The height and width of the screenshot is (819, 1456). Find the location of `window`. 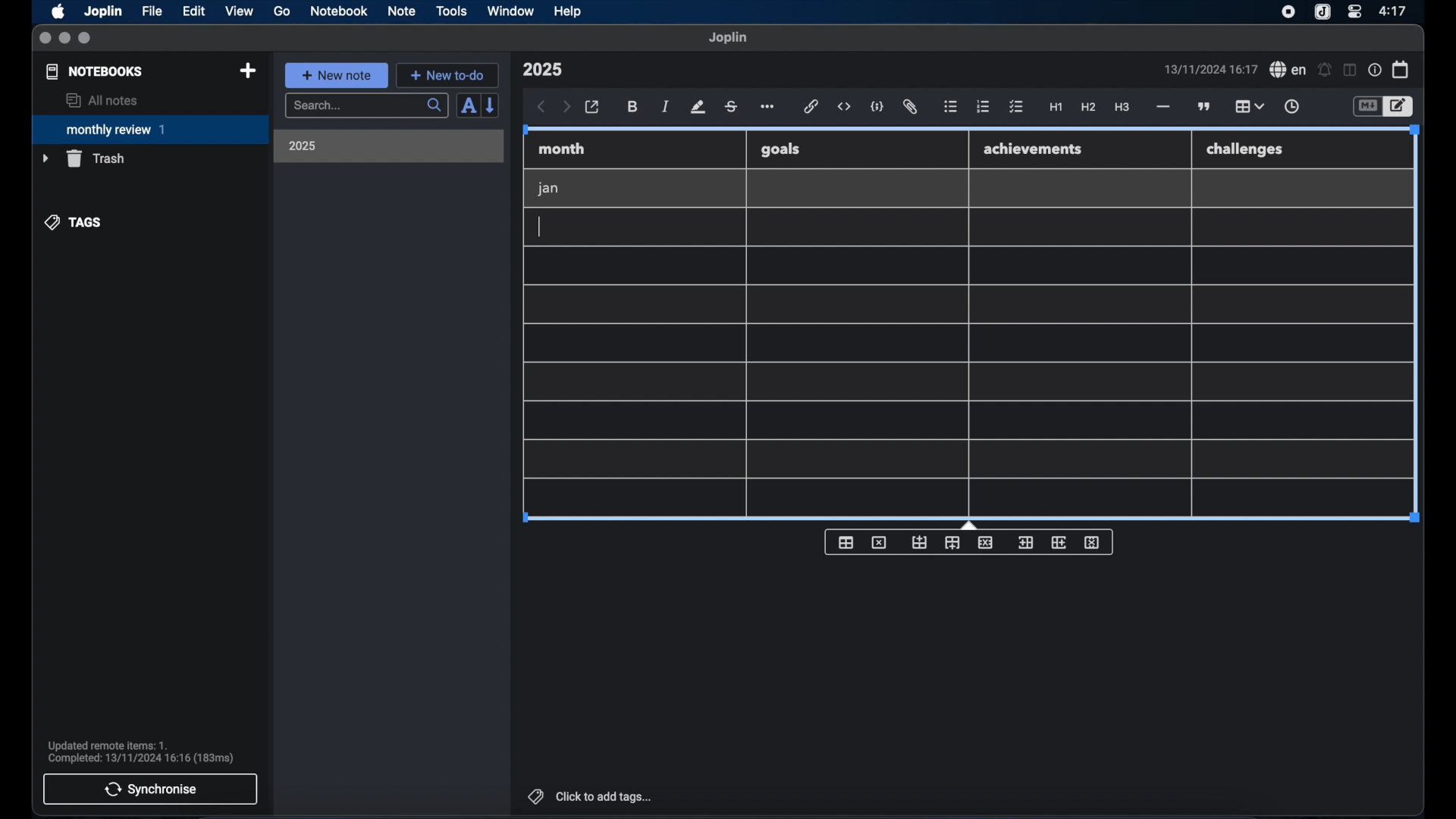

window is located at coordinates (511, 11).